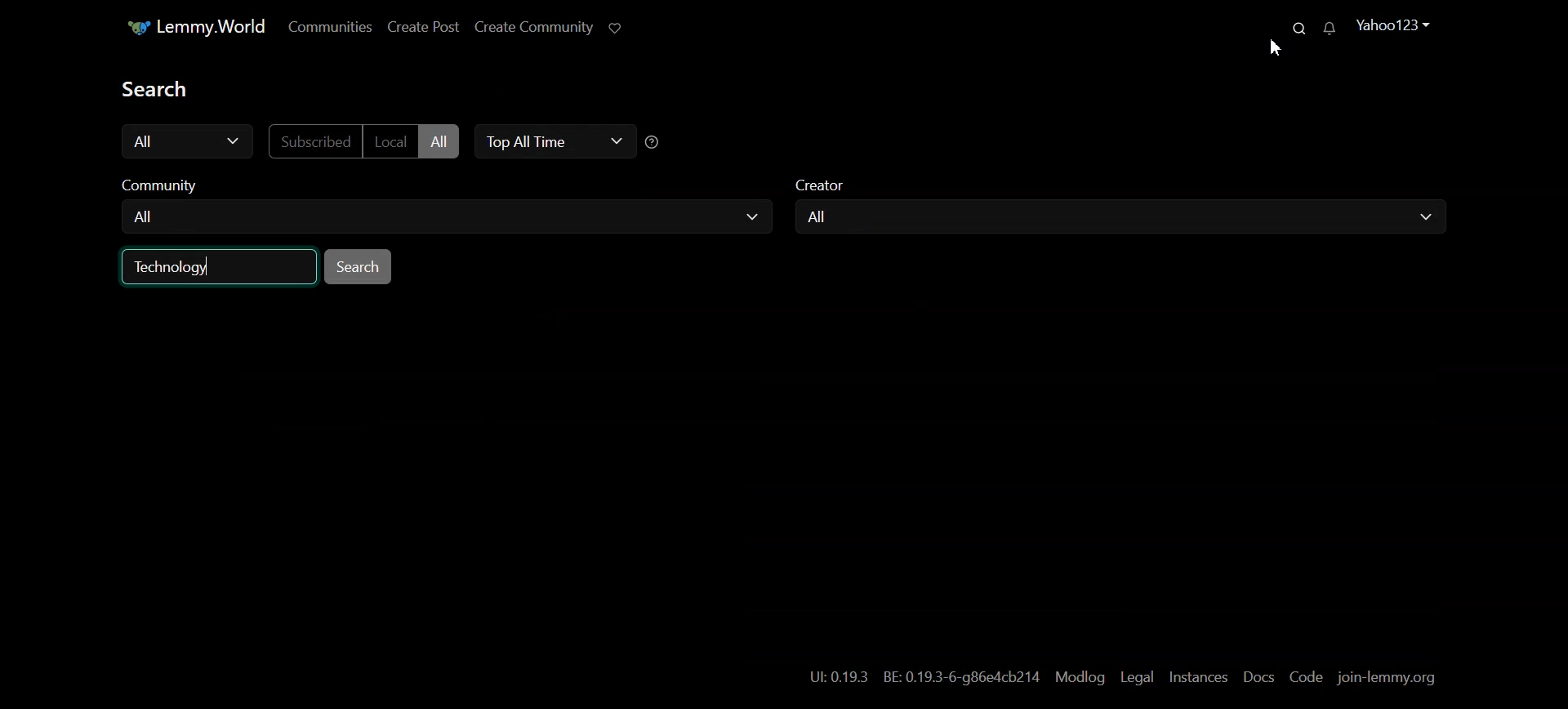 This screenshot has width=1568, height=709. What do you see at coordinates (327, 26) in the screenshot?
I see `Communities` at bounding box center [327, 26].